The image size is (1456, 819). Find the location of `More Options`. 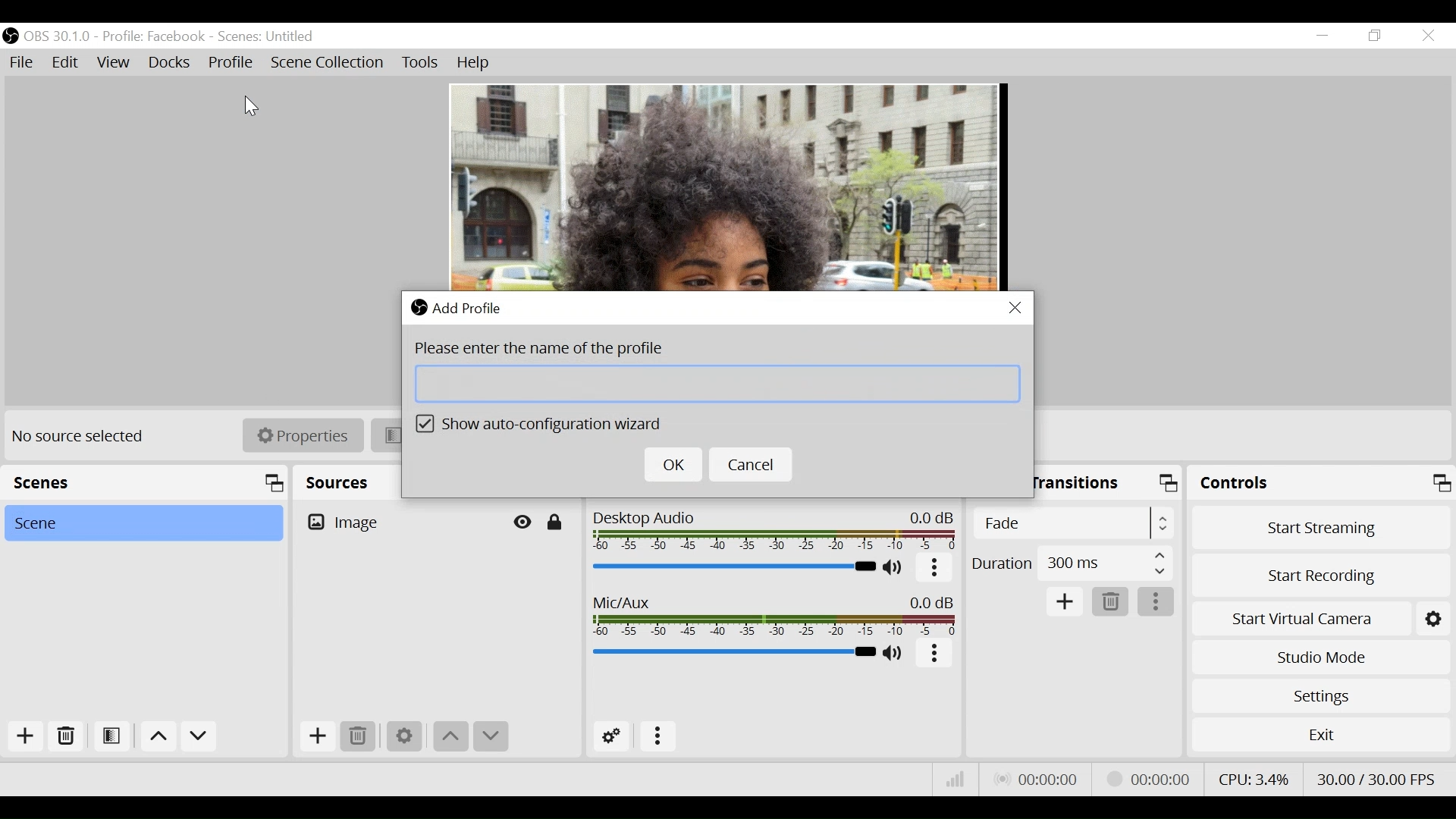

More Options is located at coordinates (658, 737).